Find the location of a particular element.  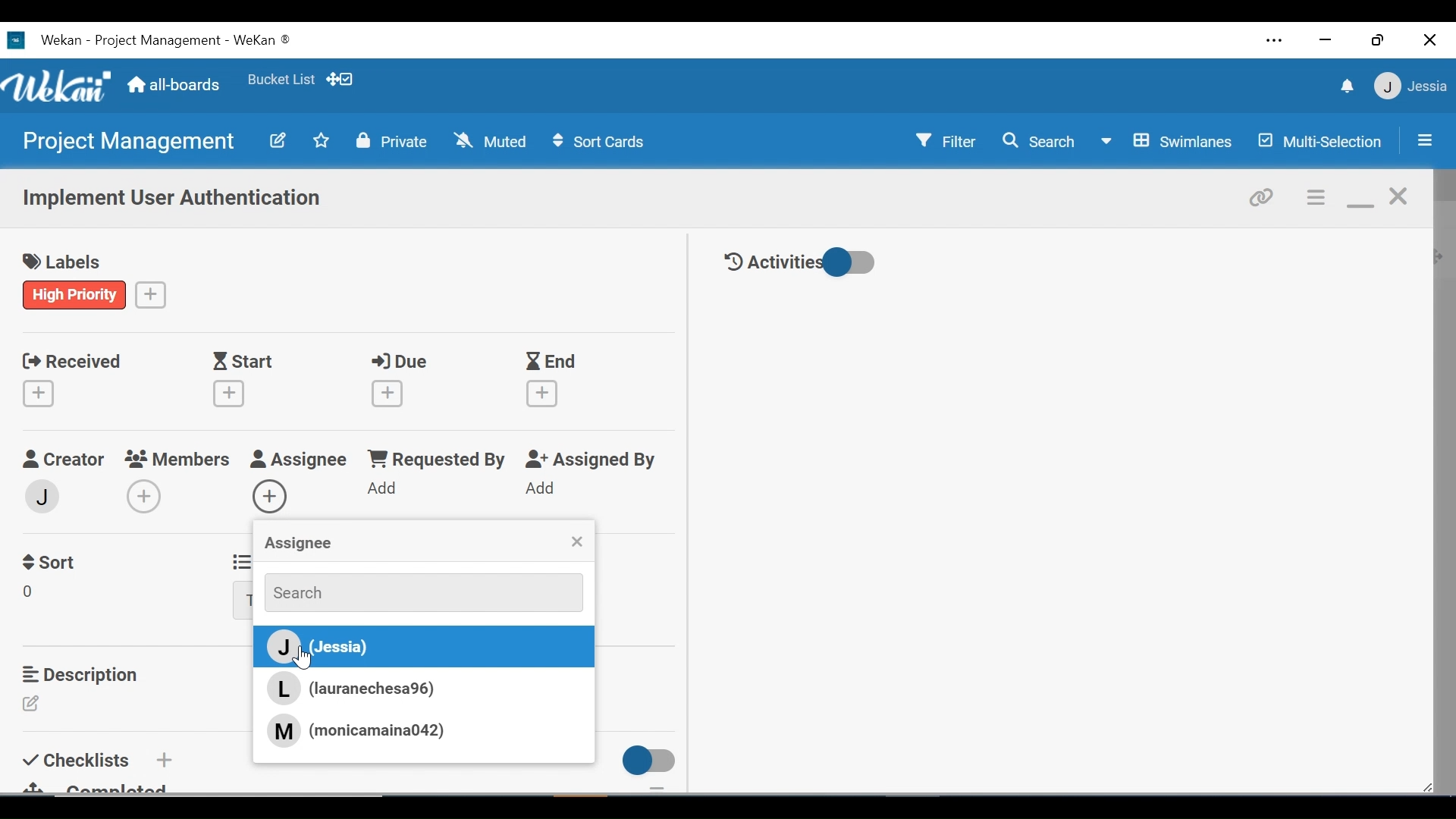

Received Date is located at coordinates (71, 359).